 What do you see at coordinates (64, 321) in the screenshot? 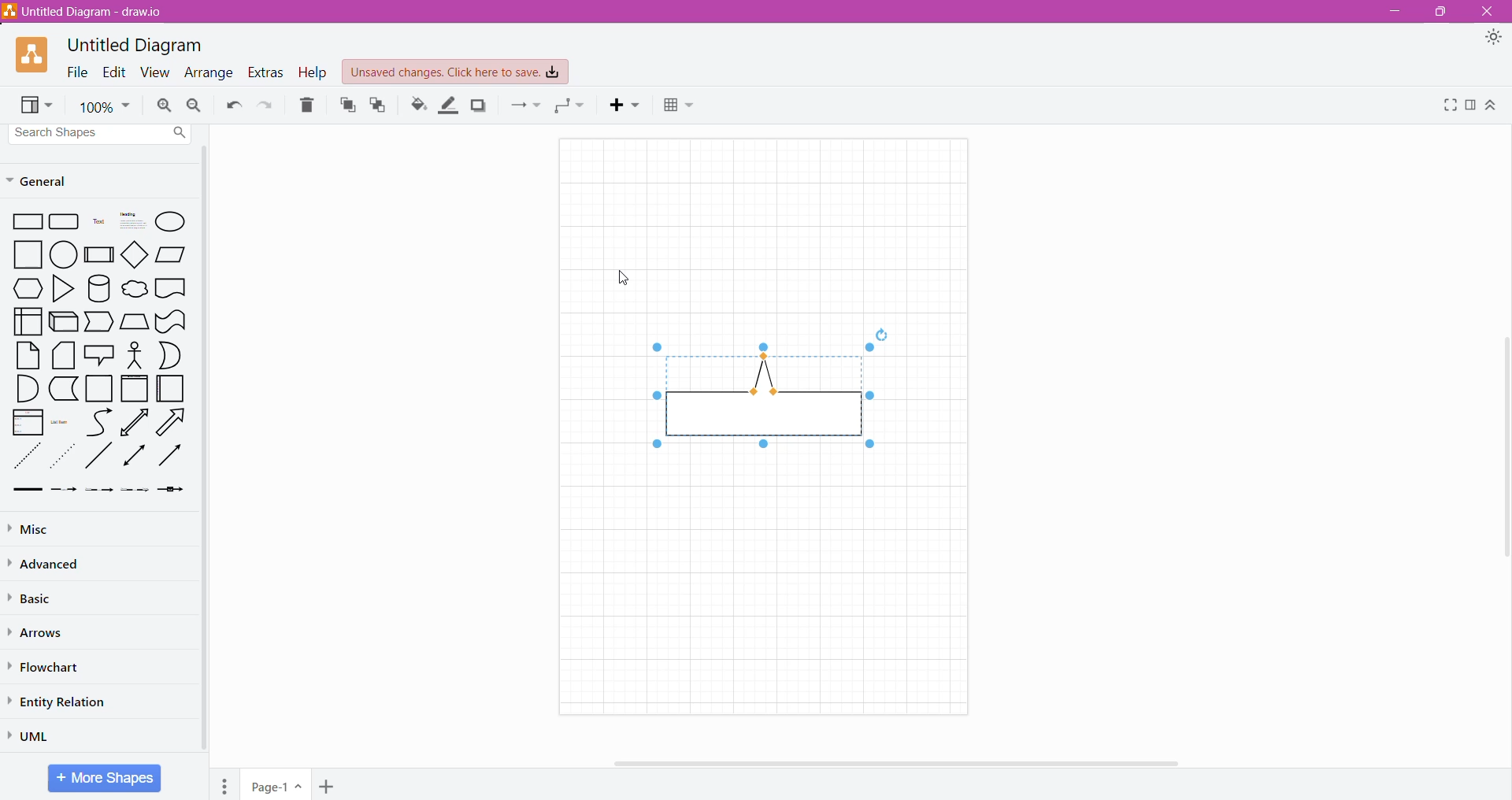
I see `3D Rectangle` at bounding box center [64, 321].